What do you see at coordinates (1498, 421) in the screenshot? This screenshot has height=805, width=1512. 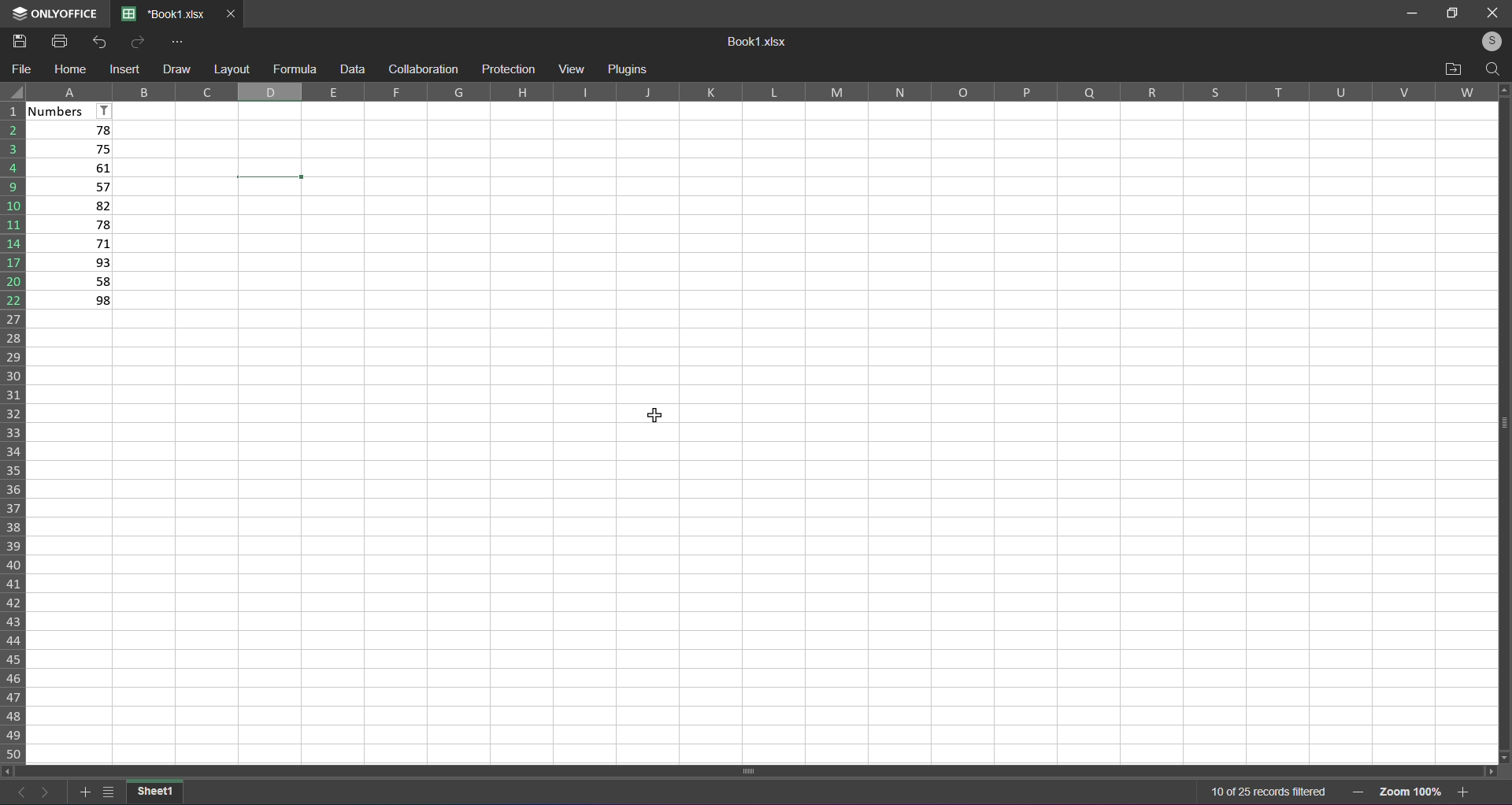 I see `Vertical scroll bar` at bounding box center [1498, 421].